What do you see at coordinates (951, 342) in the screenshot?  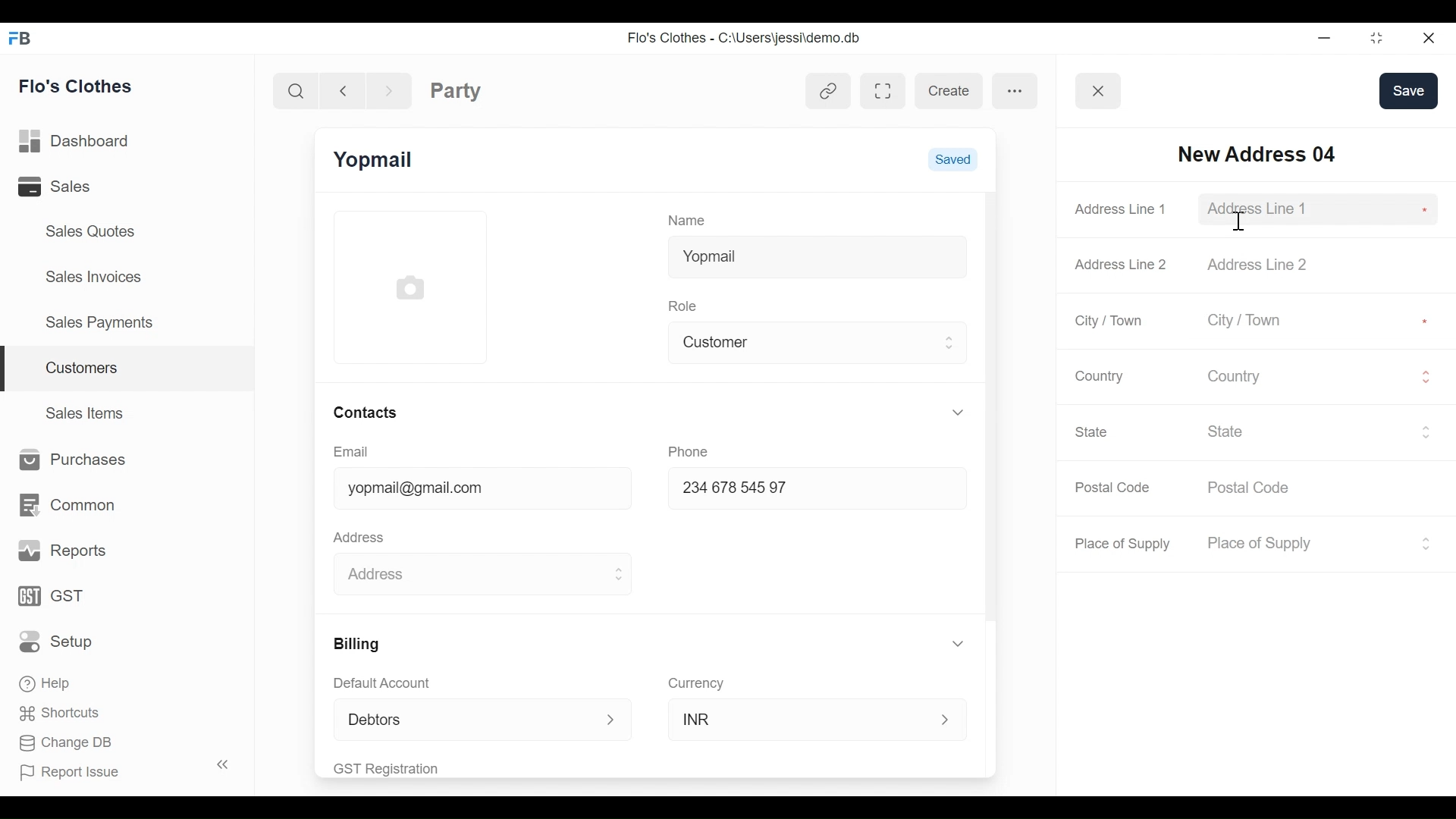 I see `Expand` at bounding box center [951, 342].